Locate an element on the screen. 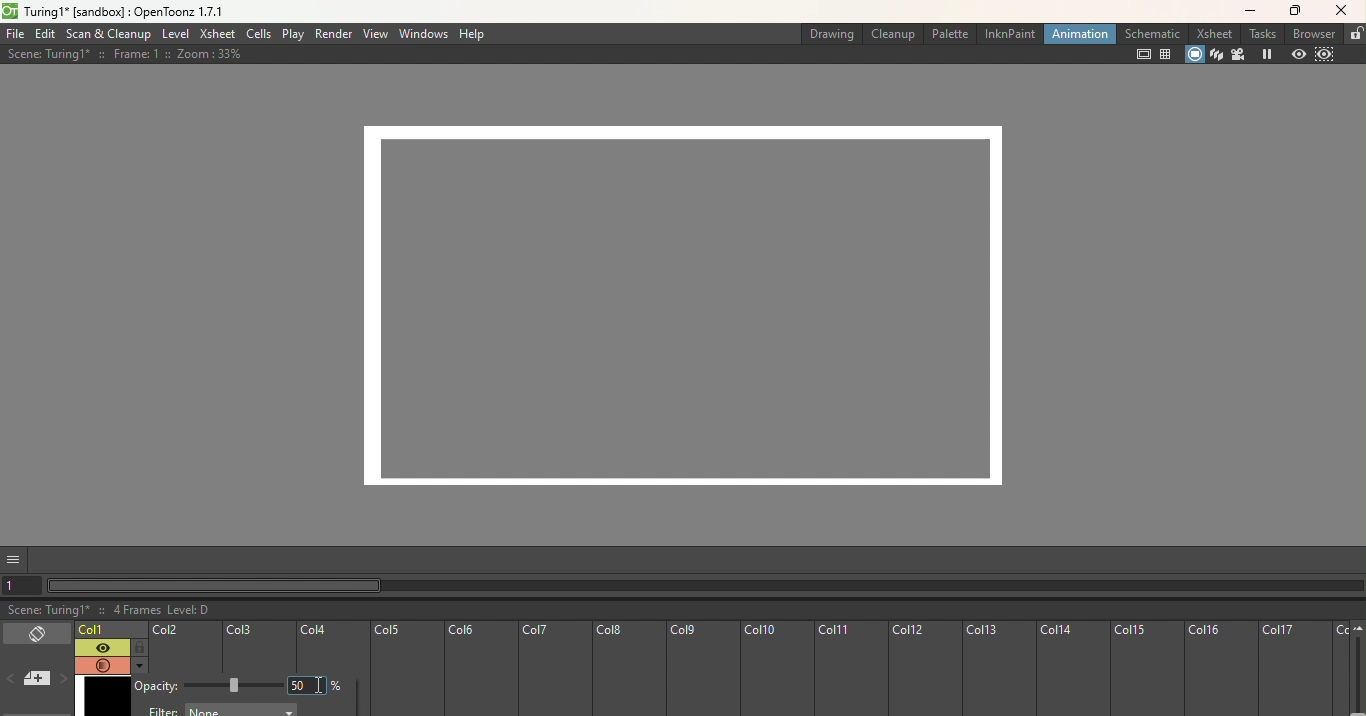 The image size is (1366, 716). Sub-camera preview is located at coordinates (1331, 56).